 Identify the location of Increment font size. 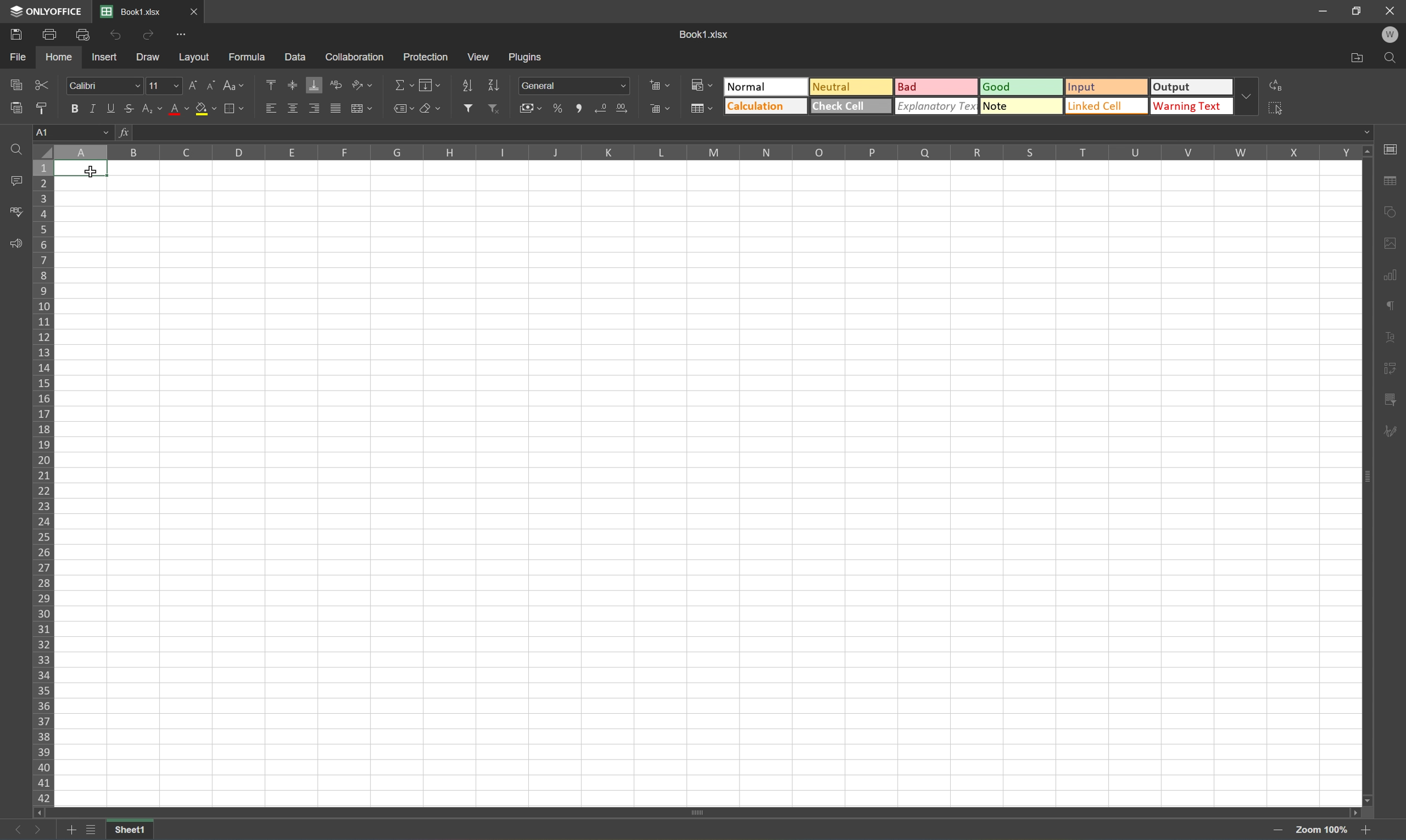
(193, 87).